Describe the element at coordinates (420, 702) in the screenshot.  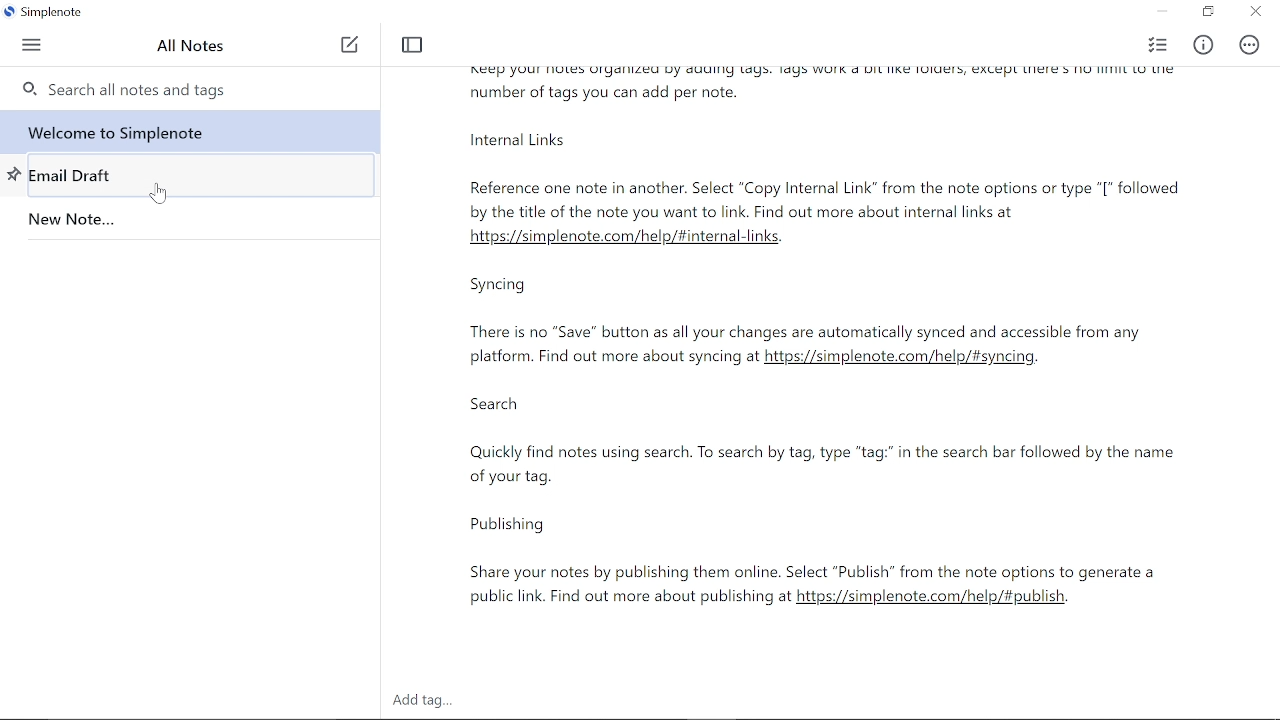
I see `Add tag` at that location.